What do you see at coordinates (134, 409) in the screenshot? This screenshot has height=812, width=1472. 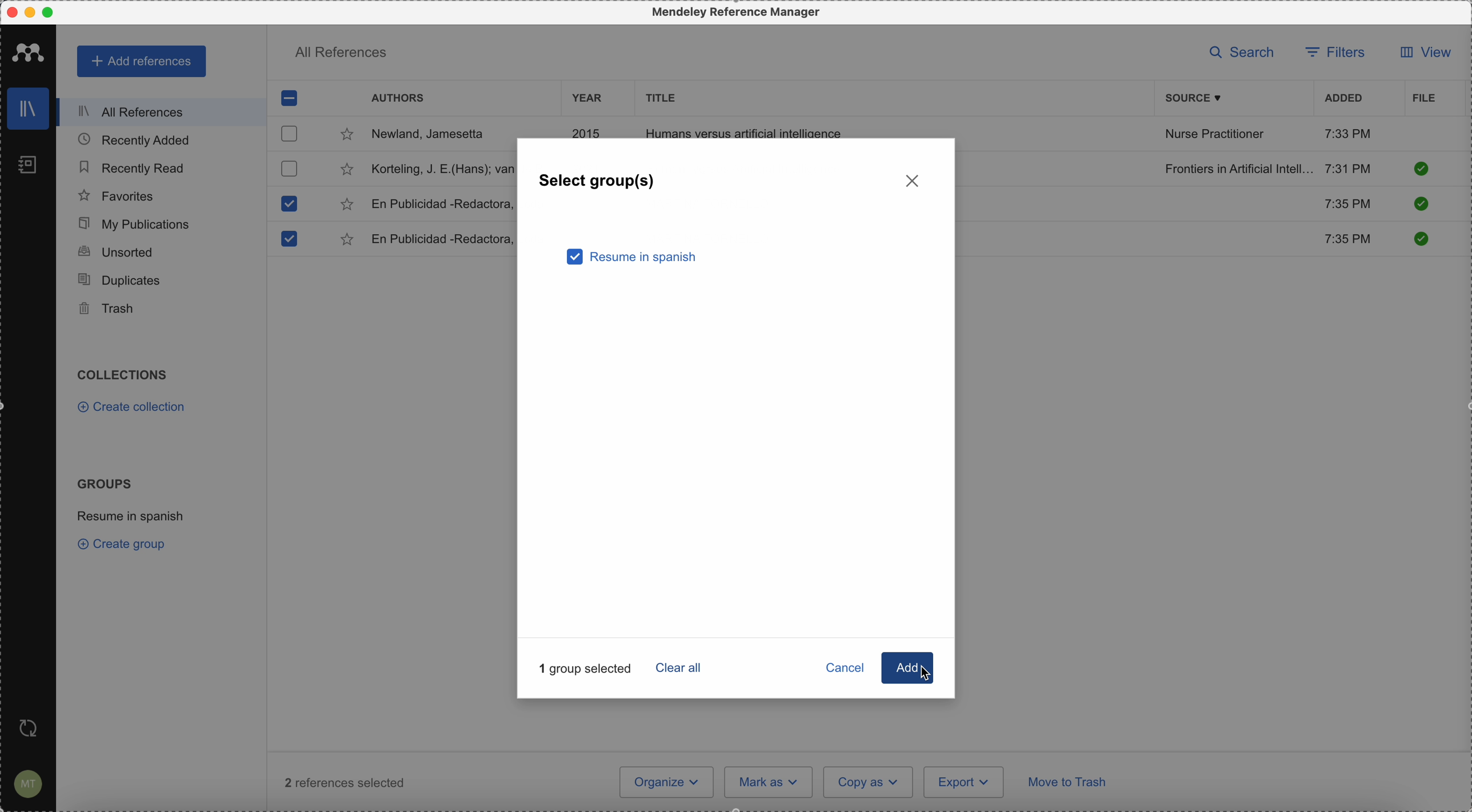 I see `create collection` at bounding box center [134, 409].